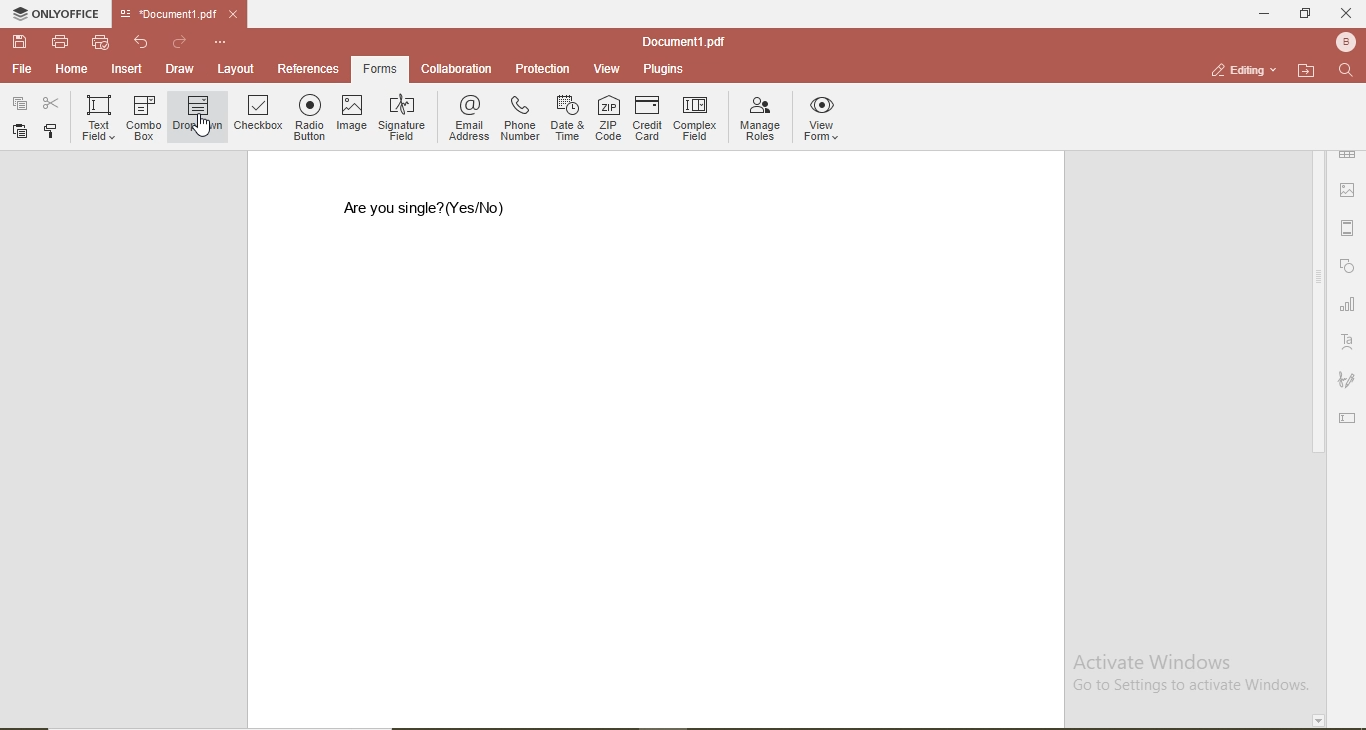 Image resolution: width=1366 pixels, height=730 pixels. I want to click on open file location, so click(1307, 71).